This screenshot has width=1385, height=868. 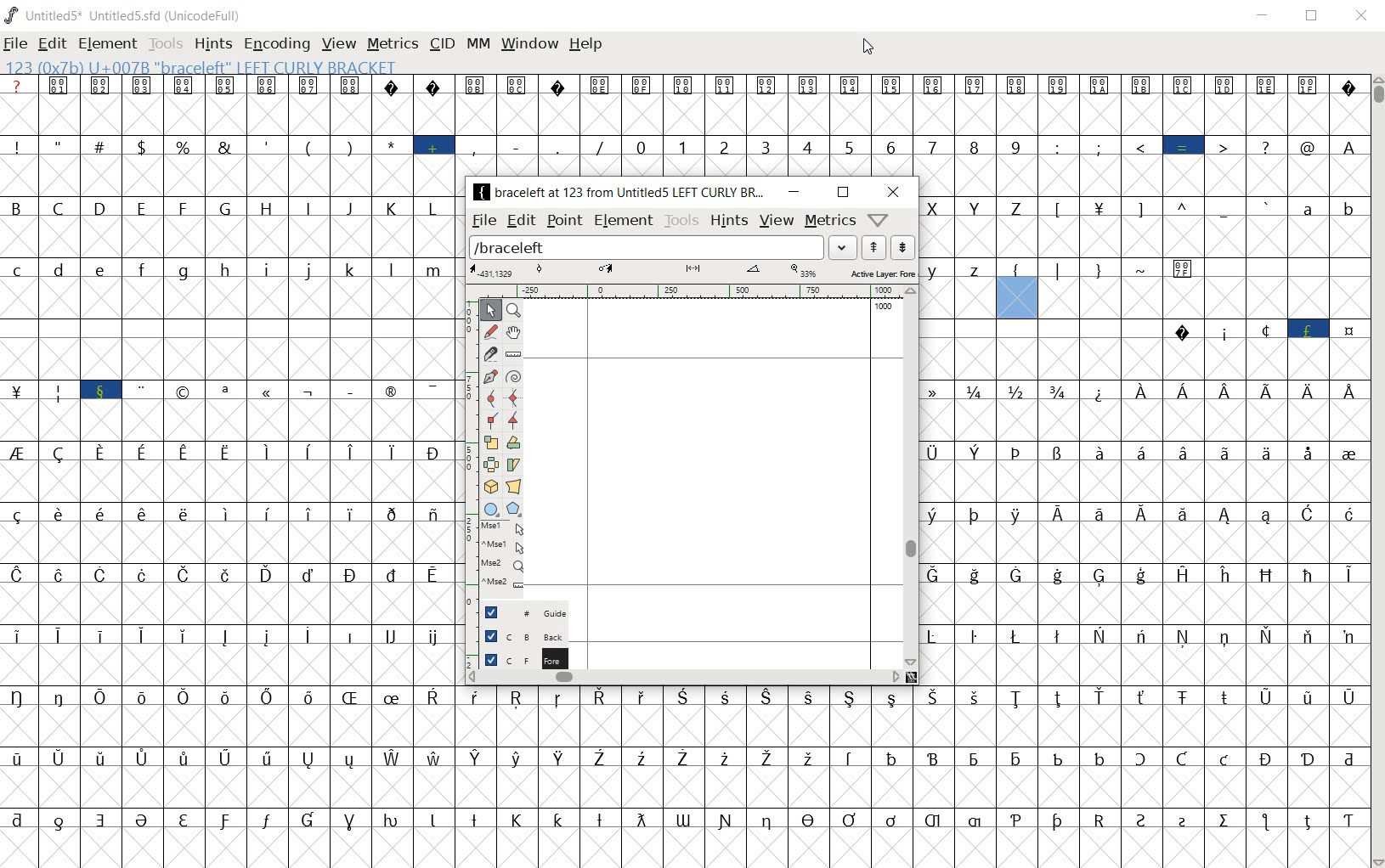 I want to click on edit, so click(x=51, y=46).